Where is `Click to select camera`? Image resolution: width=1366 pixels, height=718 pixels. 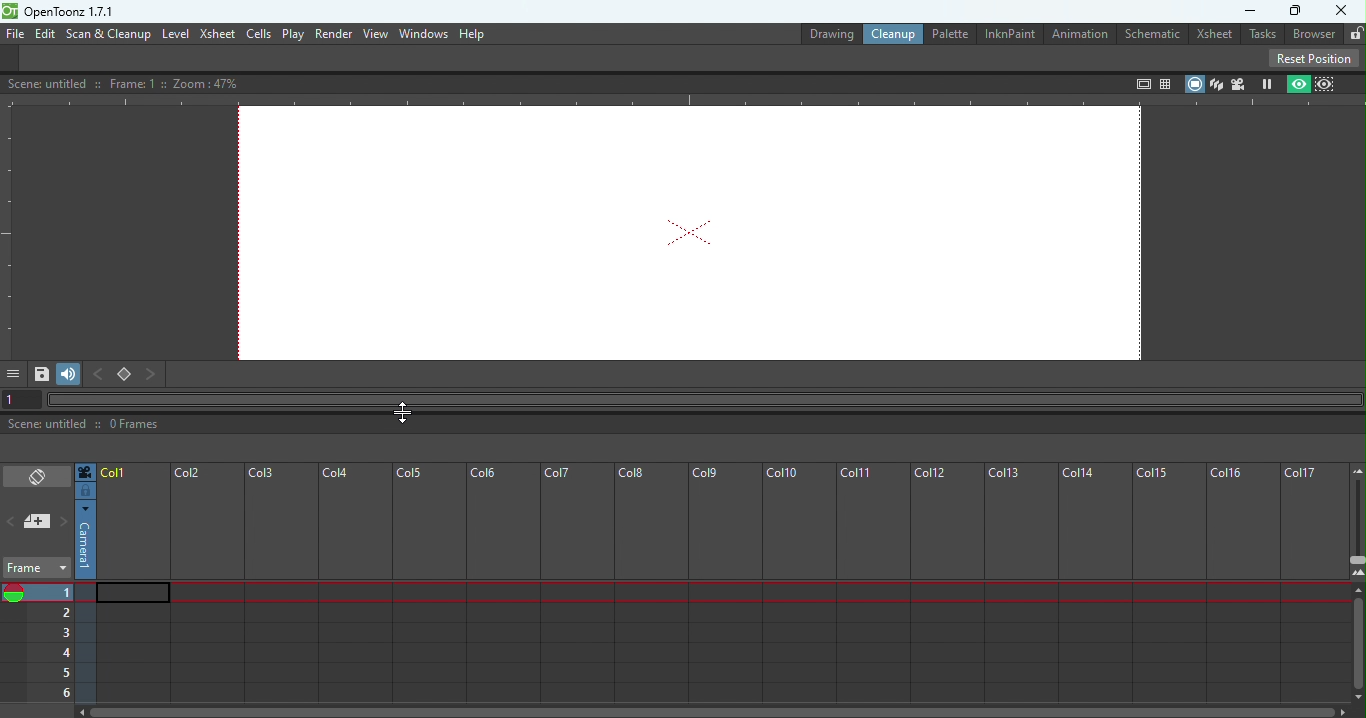
Click to select camera is located at coordinates (86, 493).